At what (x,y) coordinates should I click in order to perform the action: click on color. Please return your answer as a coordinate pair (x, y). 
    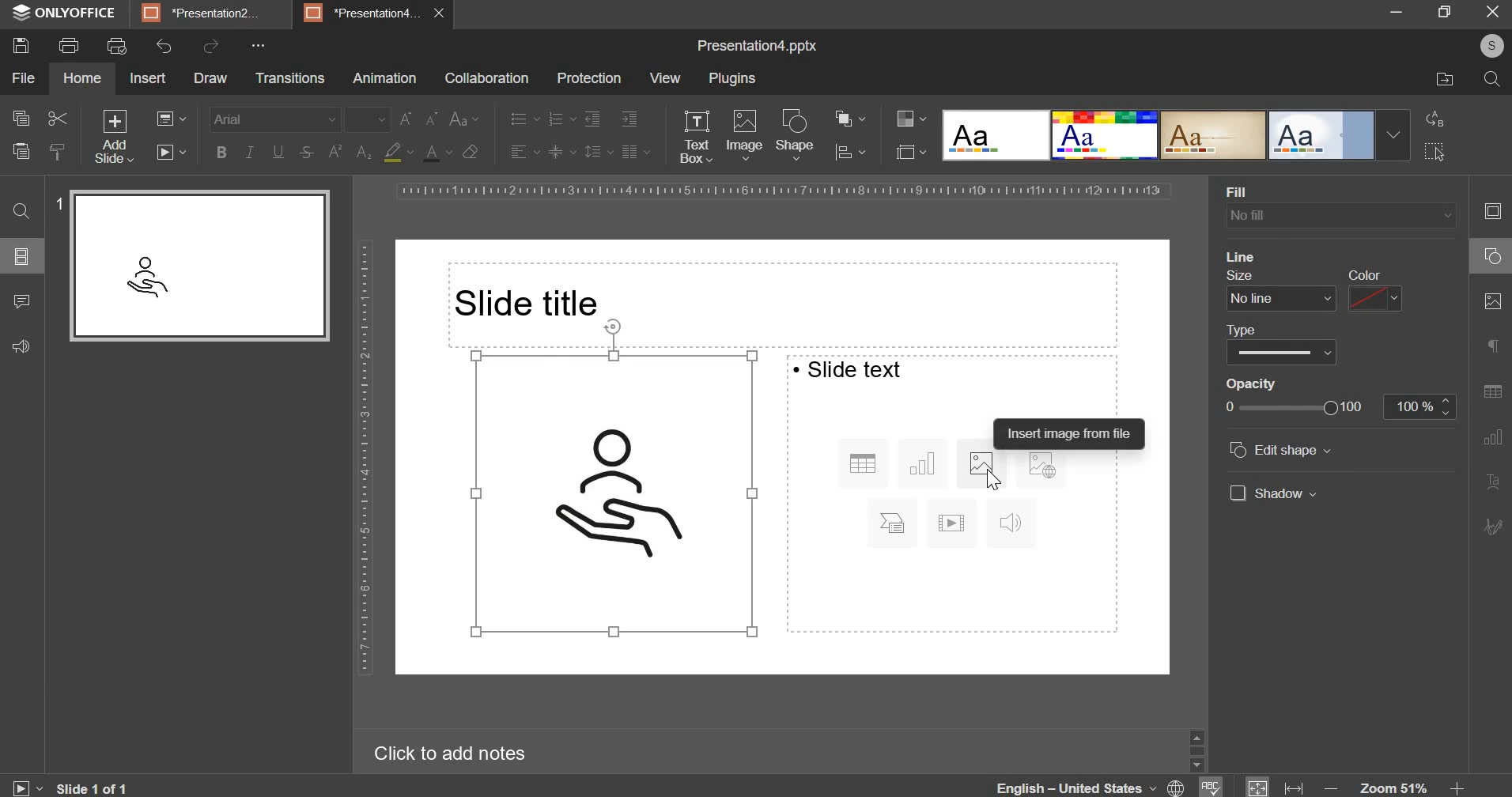
    Looking at the image, I should click on (1378, 297).